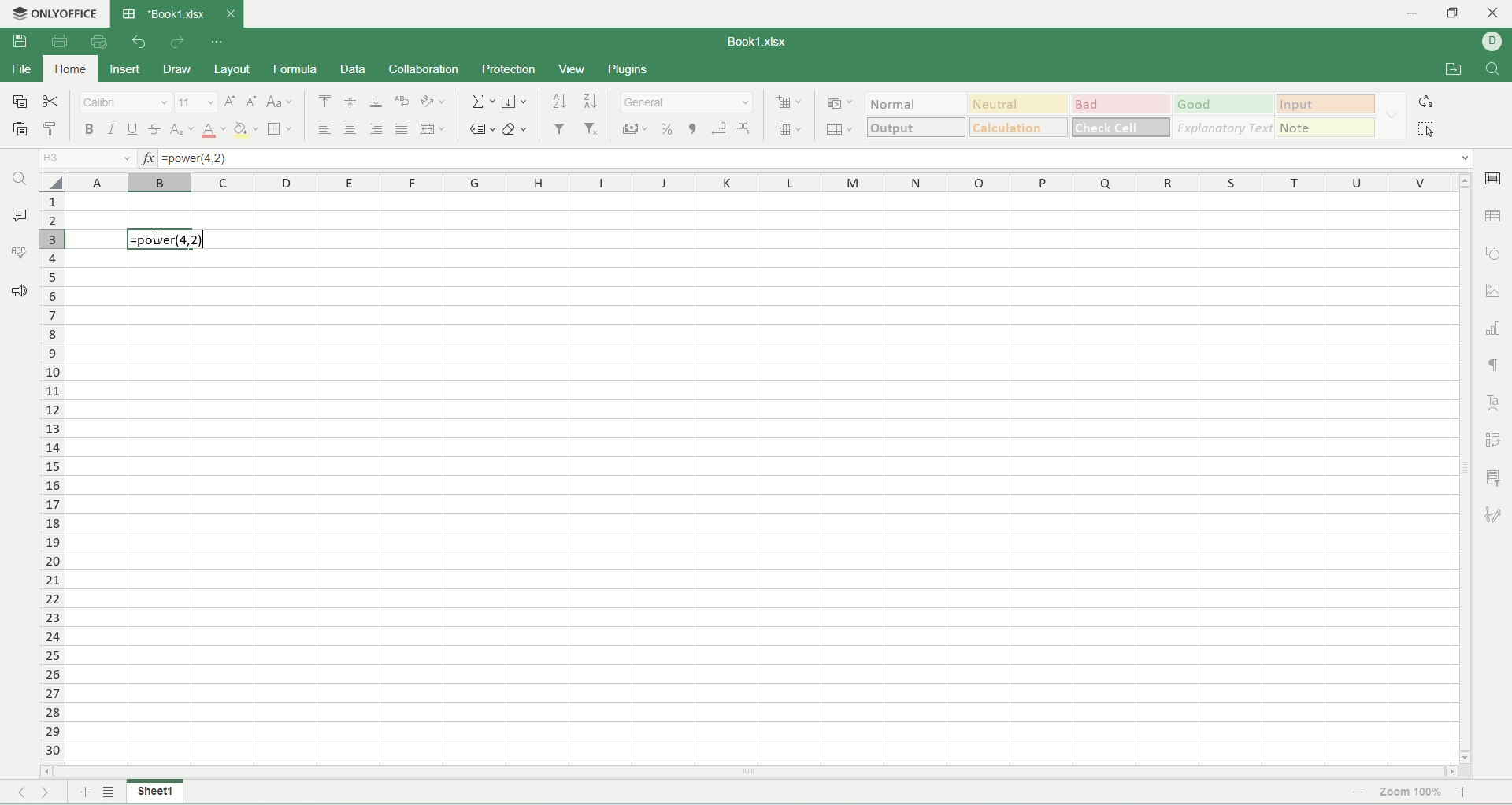 The image size is (1512, 805). I want to click on cut, so click(50, 101).